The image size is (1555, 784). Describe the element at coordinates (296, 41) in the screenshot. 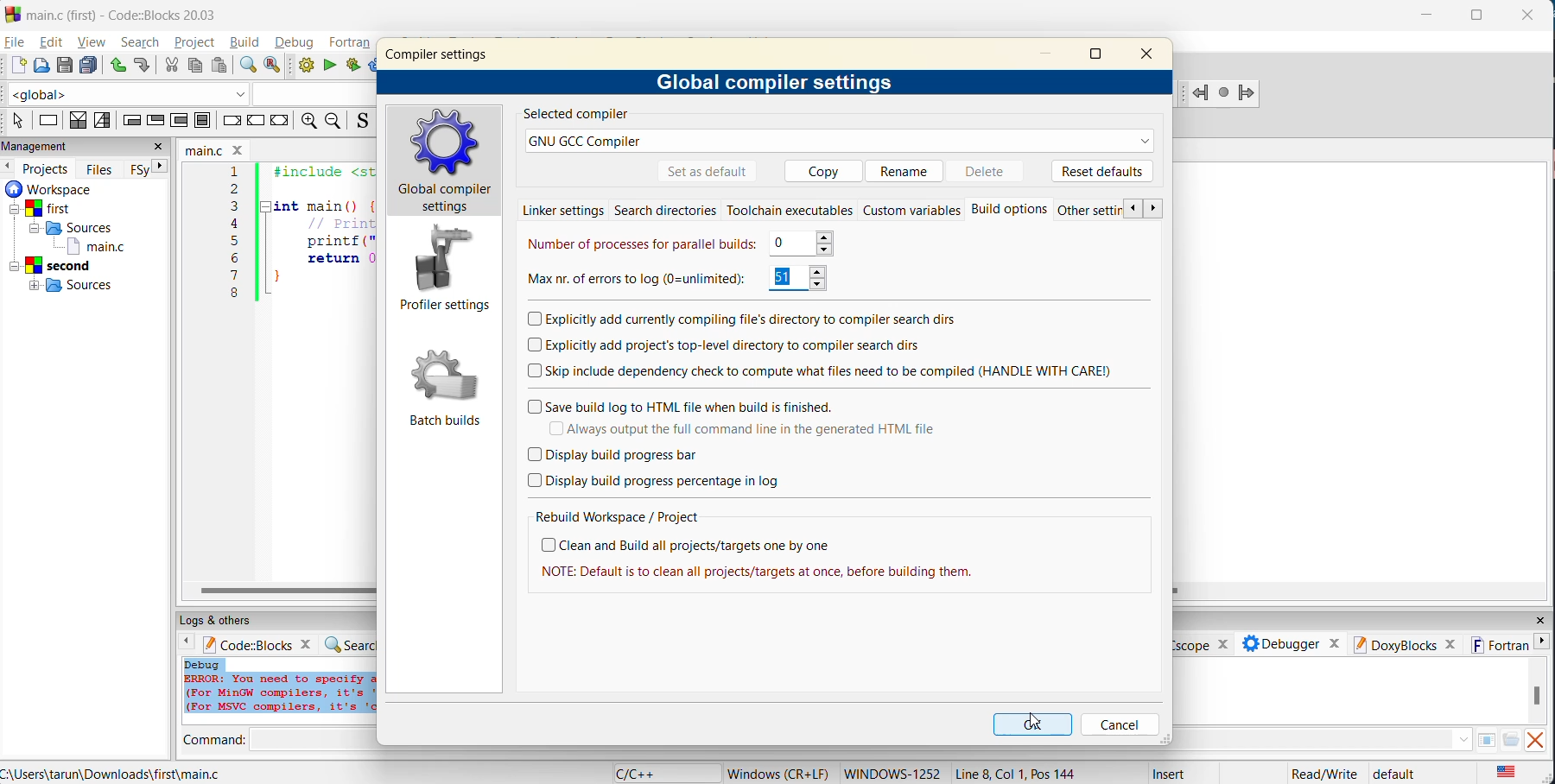

I see `debug` at that location.